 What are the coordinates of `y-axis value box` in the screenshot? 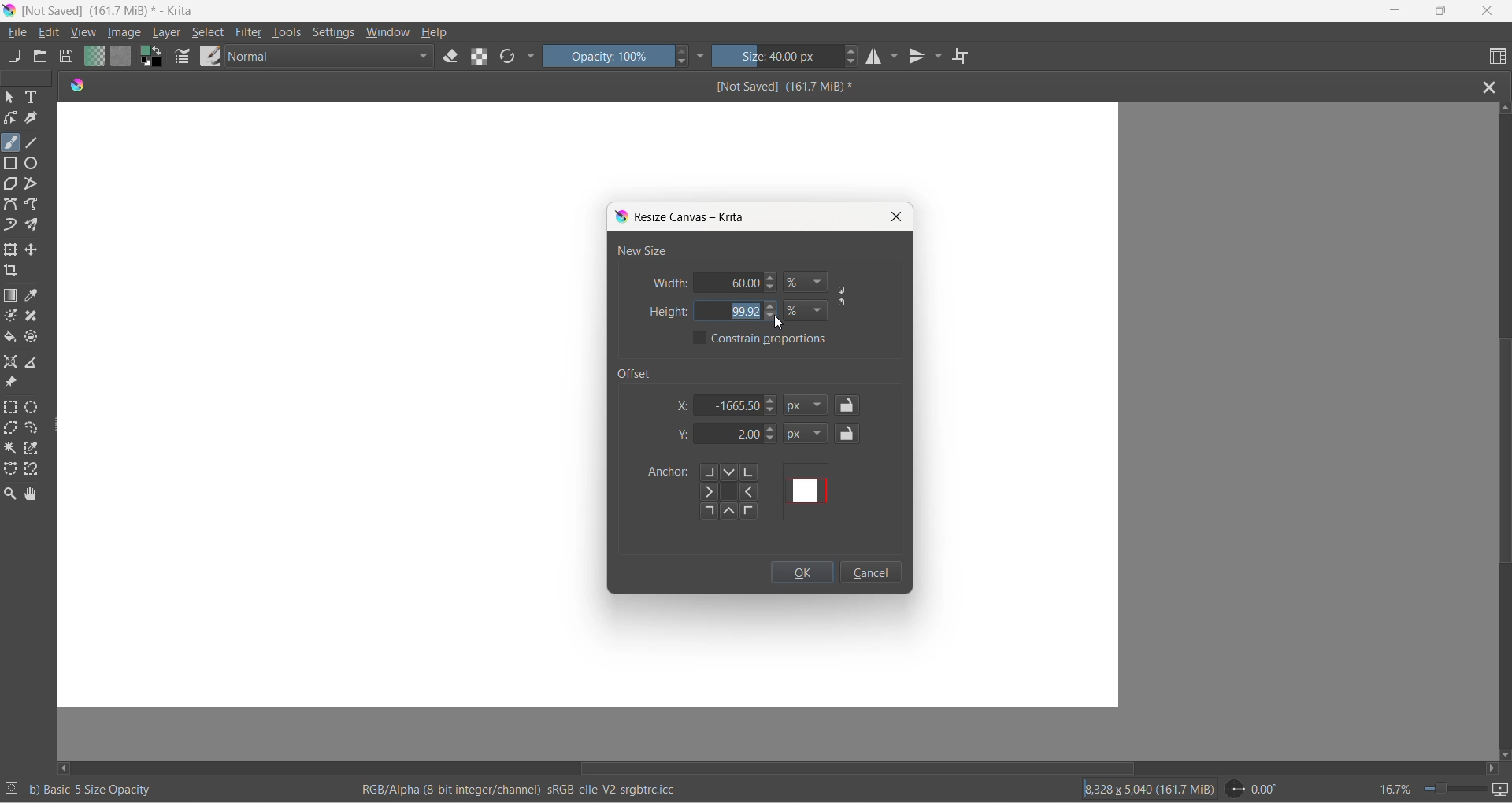 It's located at (730, 435).